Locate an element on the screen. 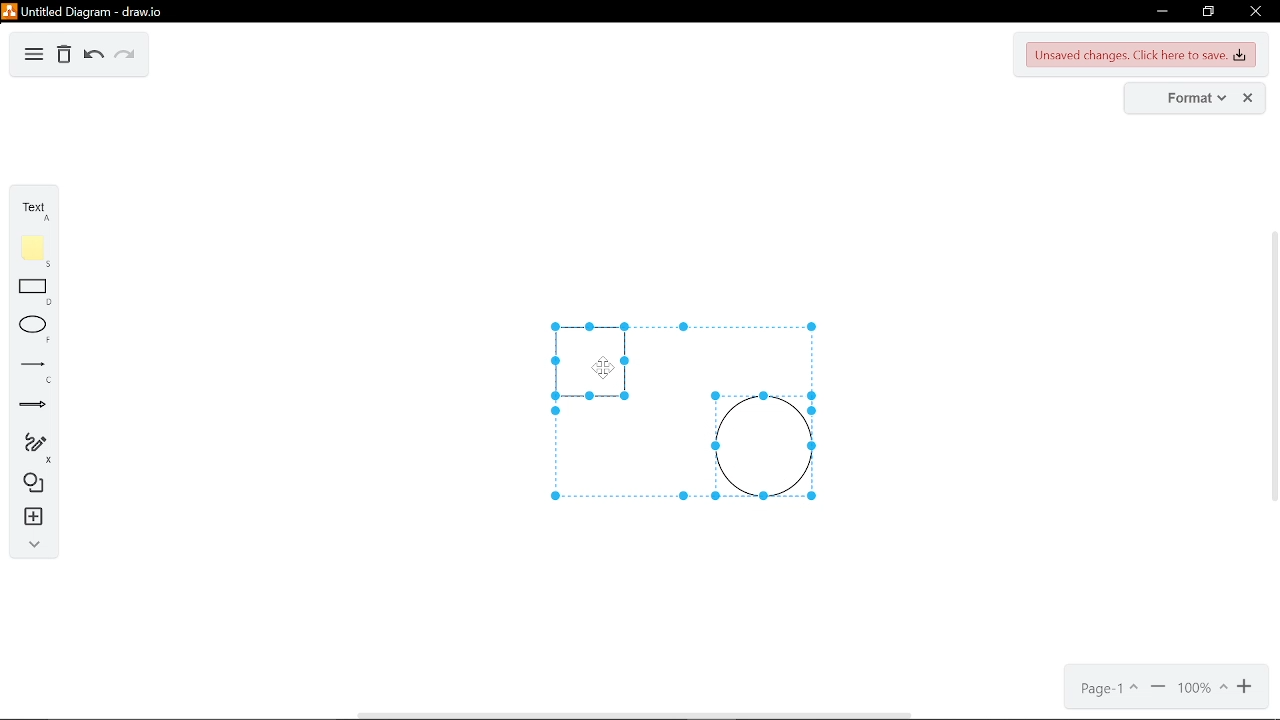 The height and width of the screenshot is (720, 1280). format is located at coordinates (1184, 98).